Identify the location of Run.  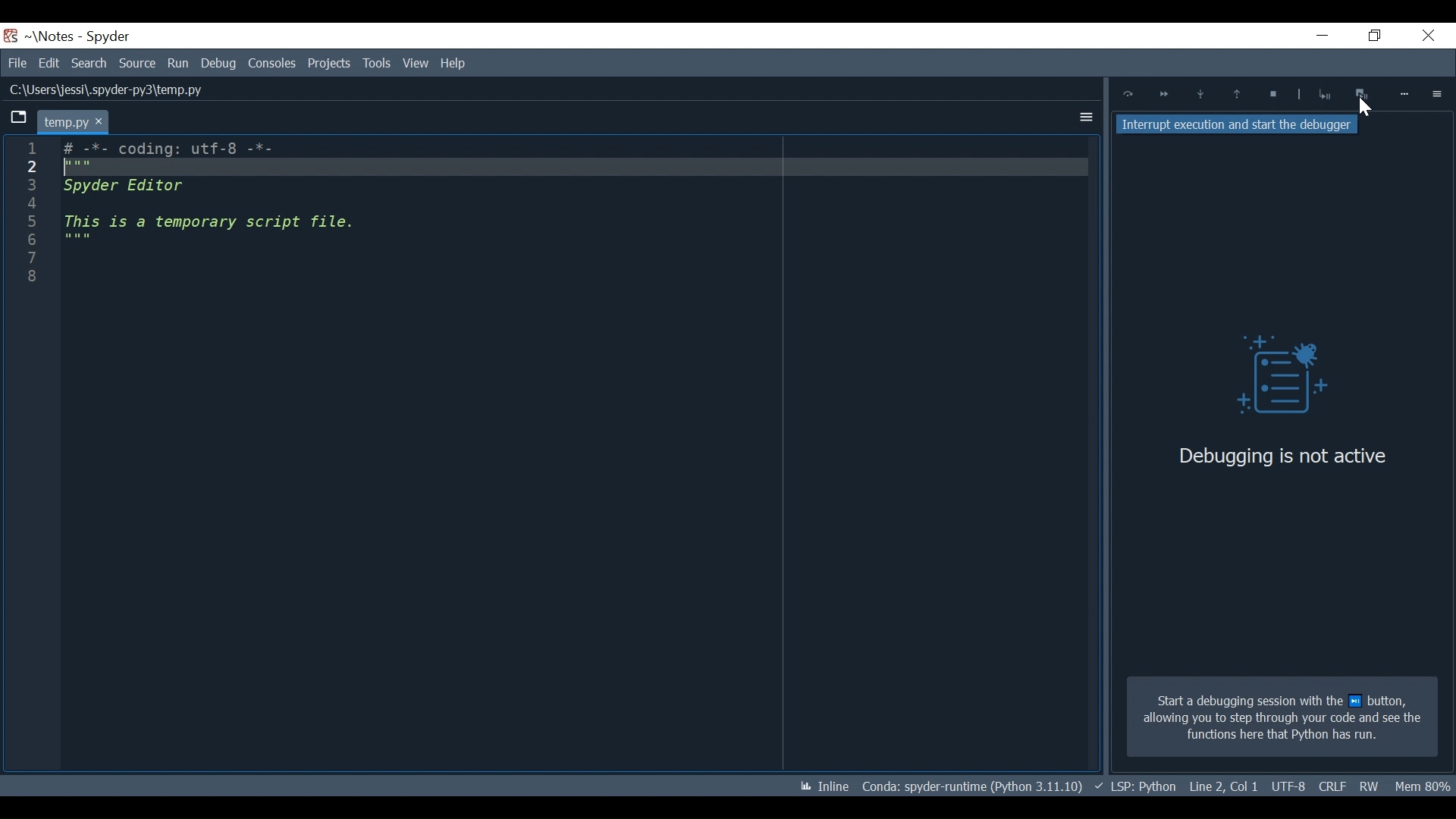
(179, 63).